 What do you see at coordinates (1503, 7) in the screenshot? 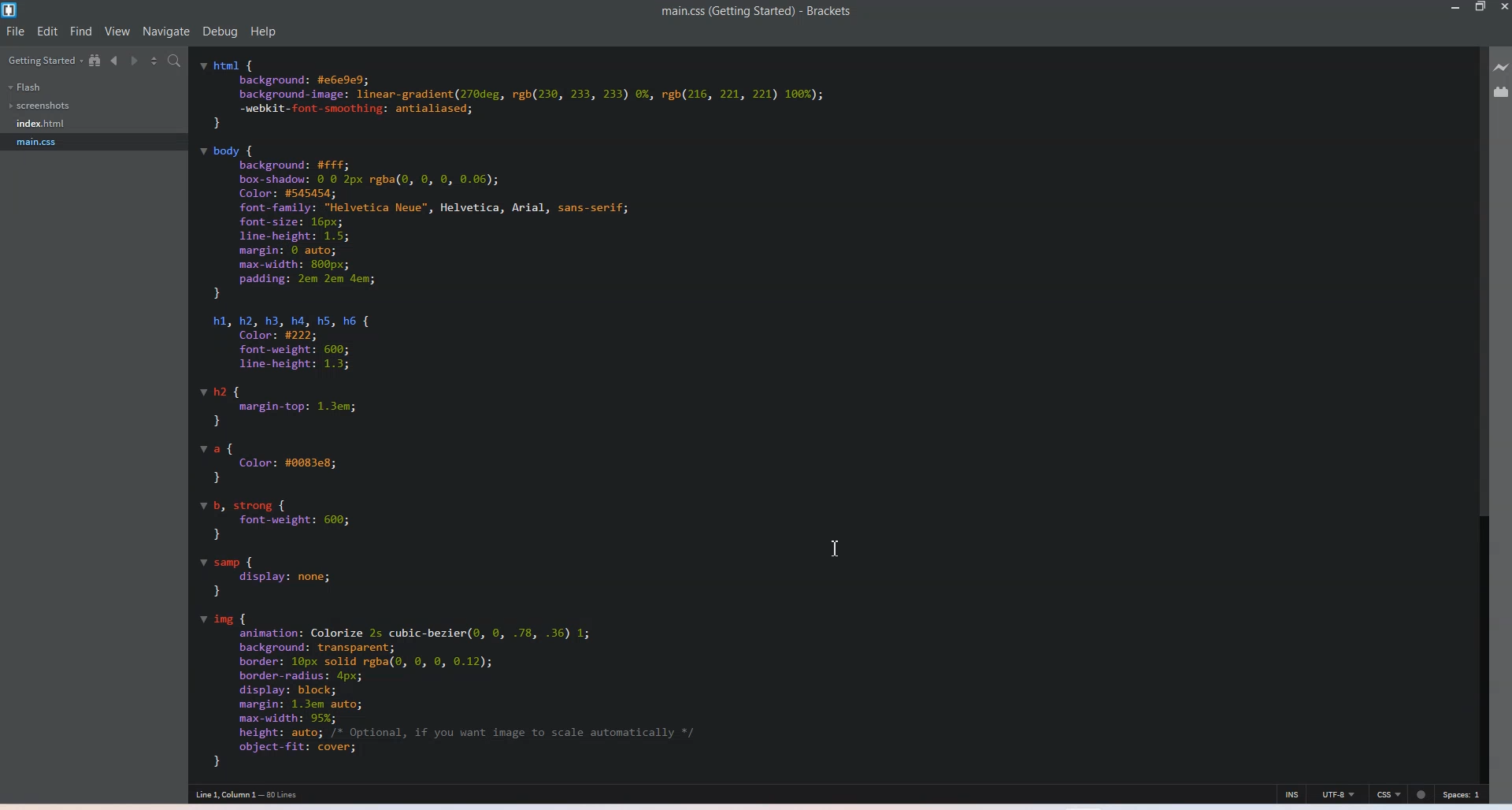
I see `Close` at bounding box center [1503, 7].